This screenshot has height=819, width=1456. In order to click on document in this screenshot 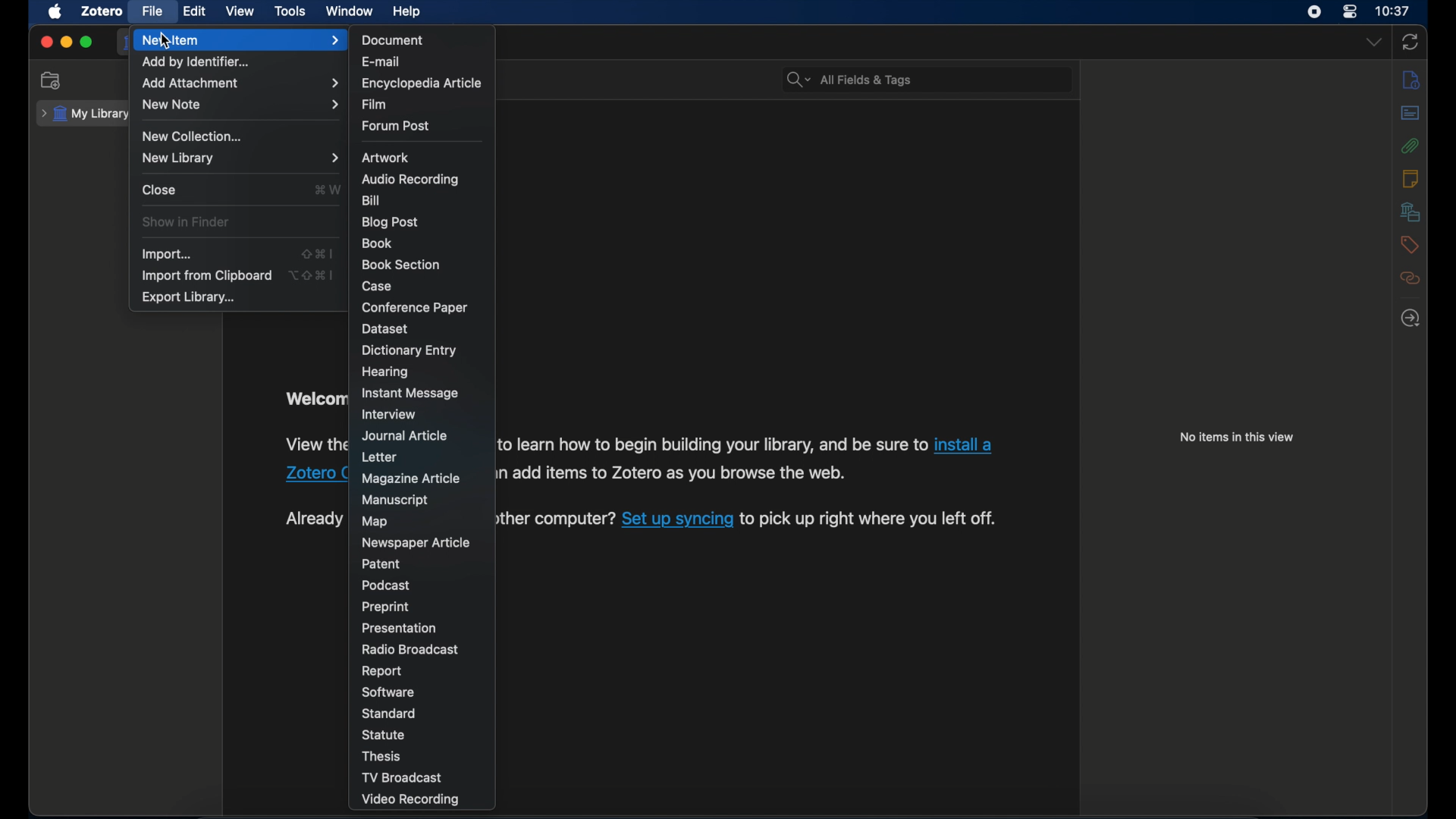, I will do `click(395, 38)`.